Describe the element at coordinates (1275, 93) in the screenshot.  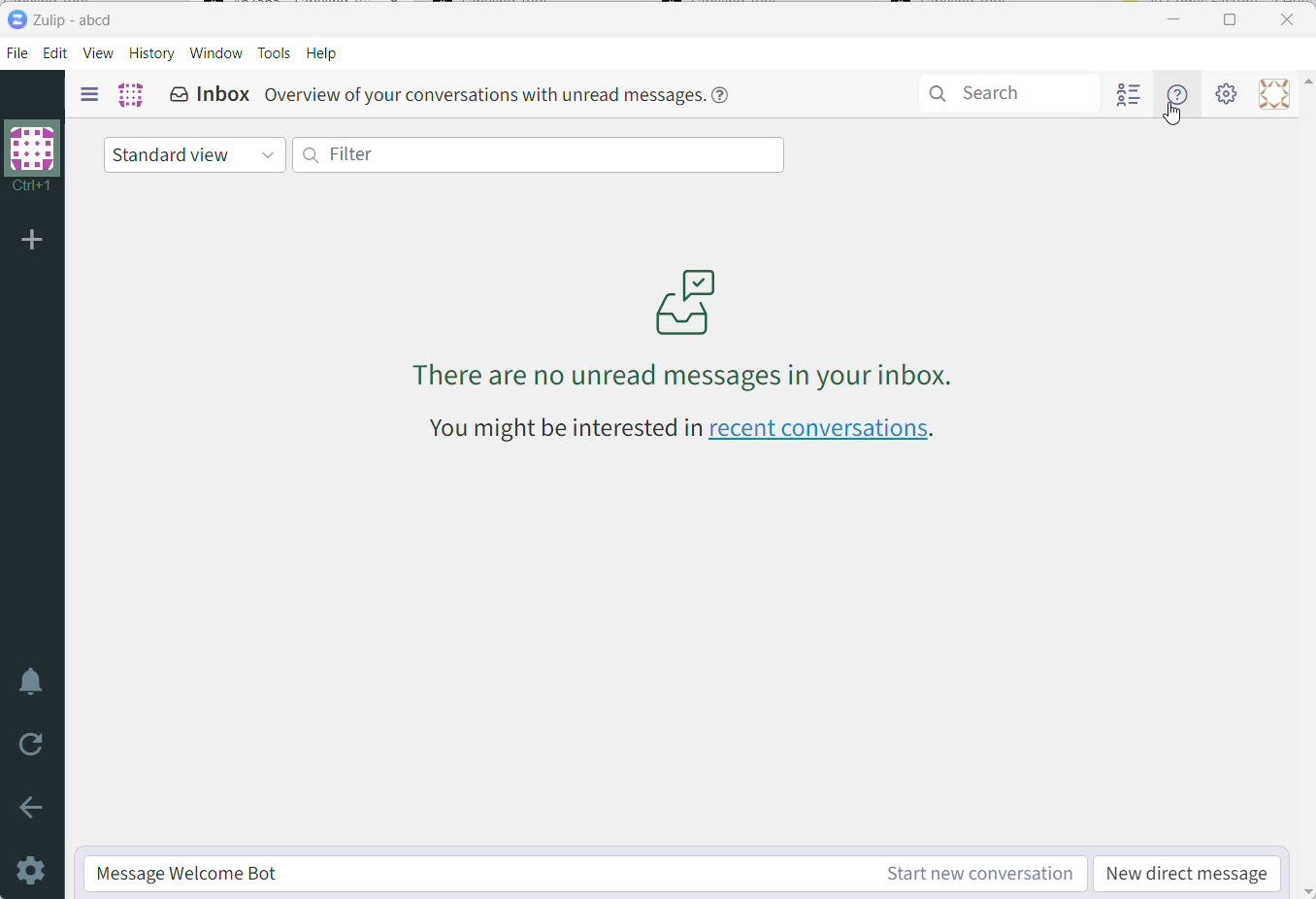
I see `Personal menu` at that location.